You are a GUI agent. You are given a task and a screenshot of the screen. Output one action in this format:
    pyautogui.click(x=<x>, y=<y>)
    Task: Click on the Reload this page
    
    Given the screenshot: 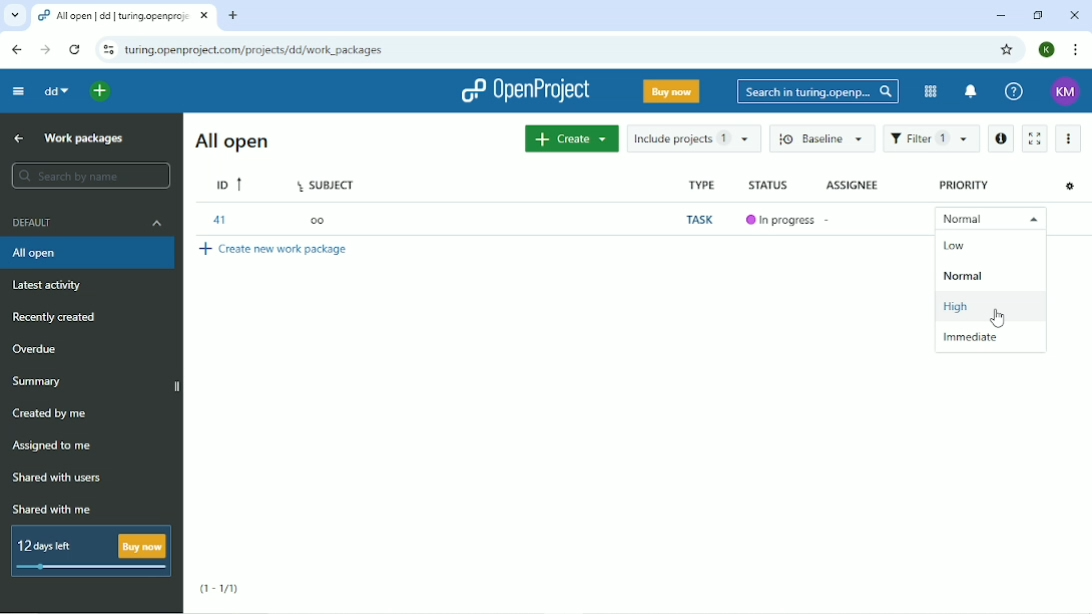 What is the action you would take?
    pyautogui.click(x=77, y=50)
    